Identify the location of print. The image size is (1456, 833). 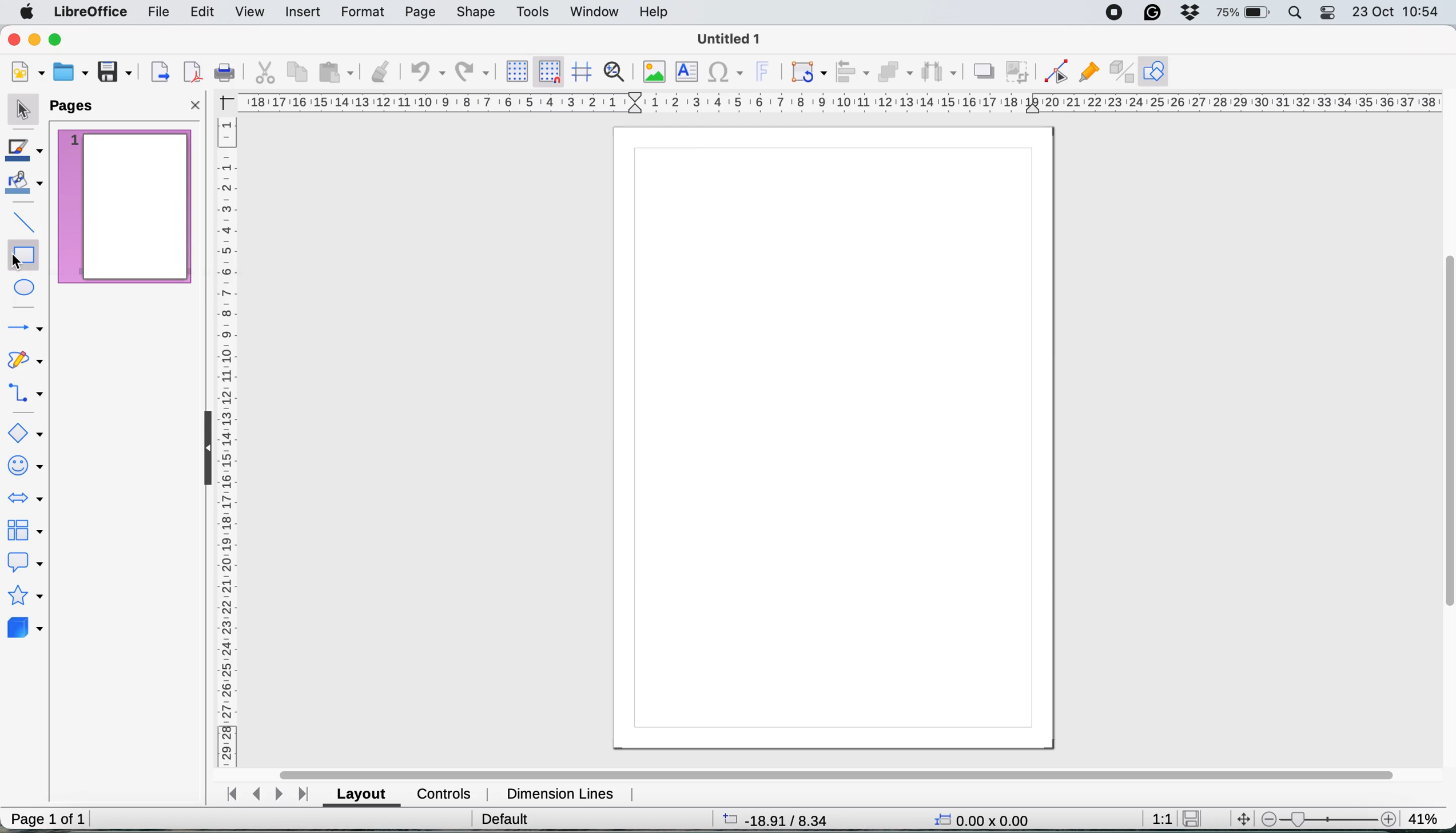
(222, 74).